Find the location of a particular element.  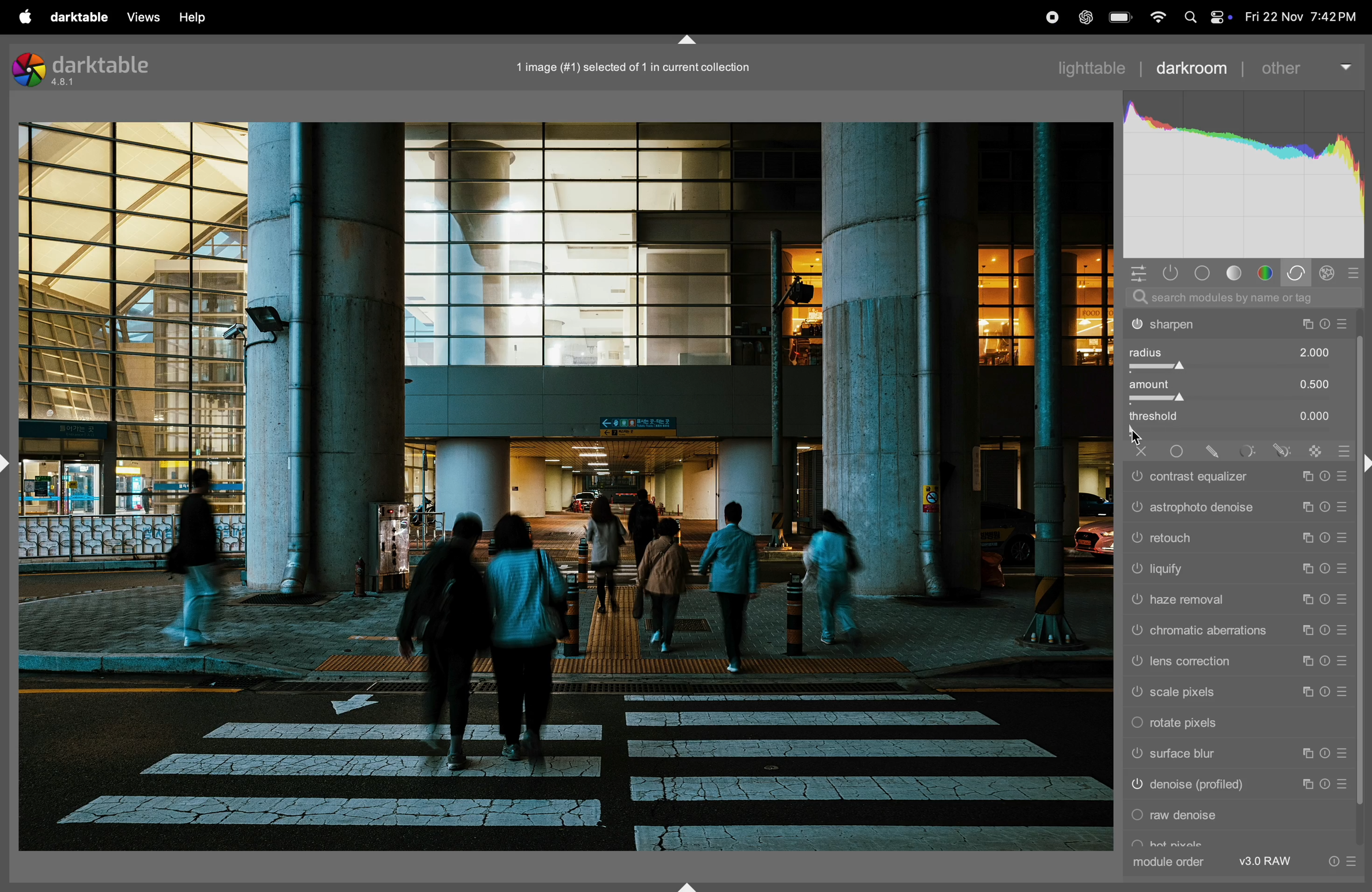

shift+ctrl+b is located at coordinates (687, 886).